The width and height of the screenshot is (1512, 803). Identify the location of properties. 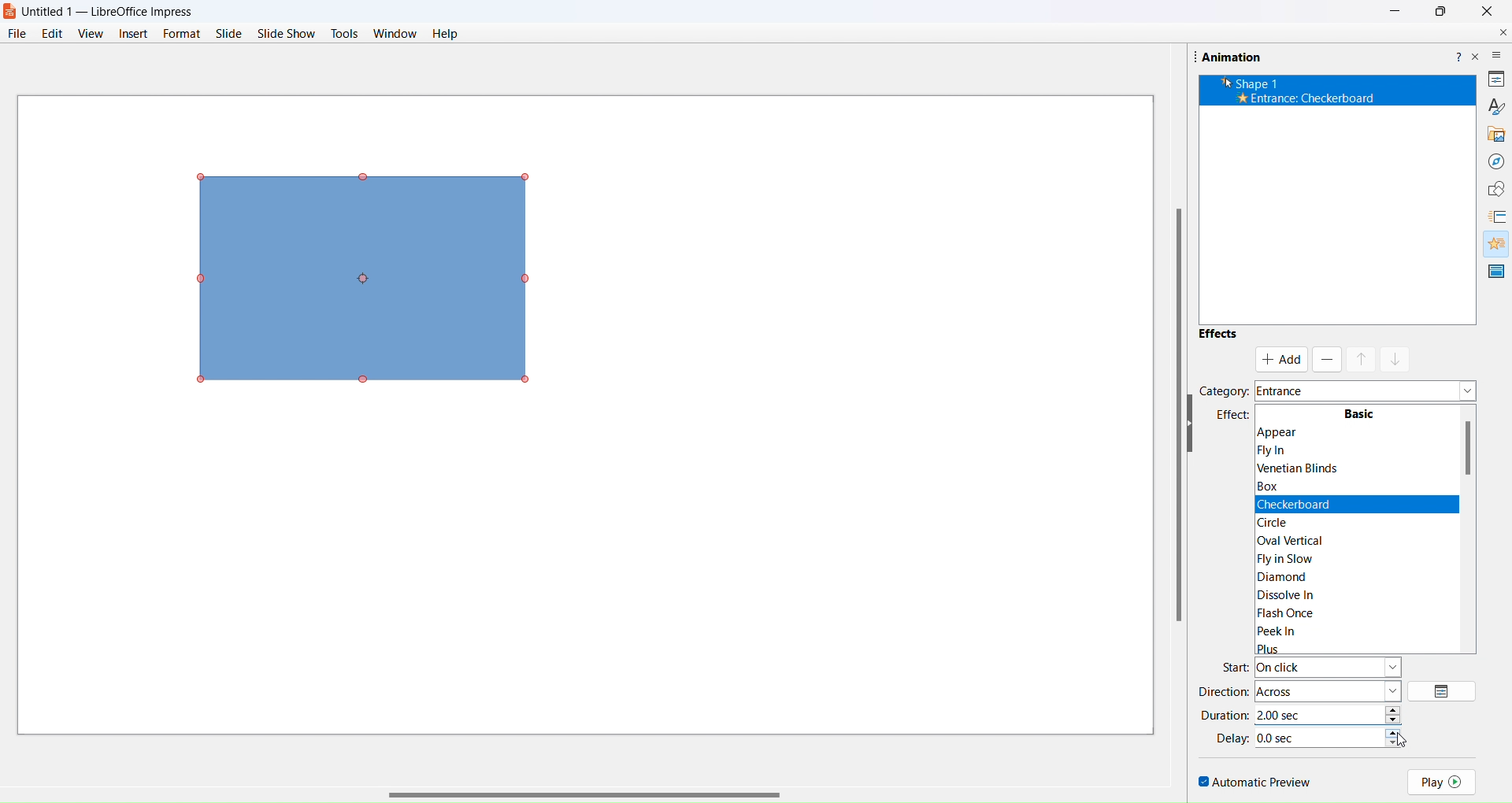
(1495, 80).